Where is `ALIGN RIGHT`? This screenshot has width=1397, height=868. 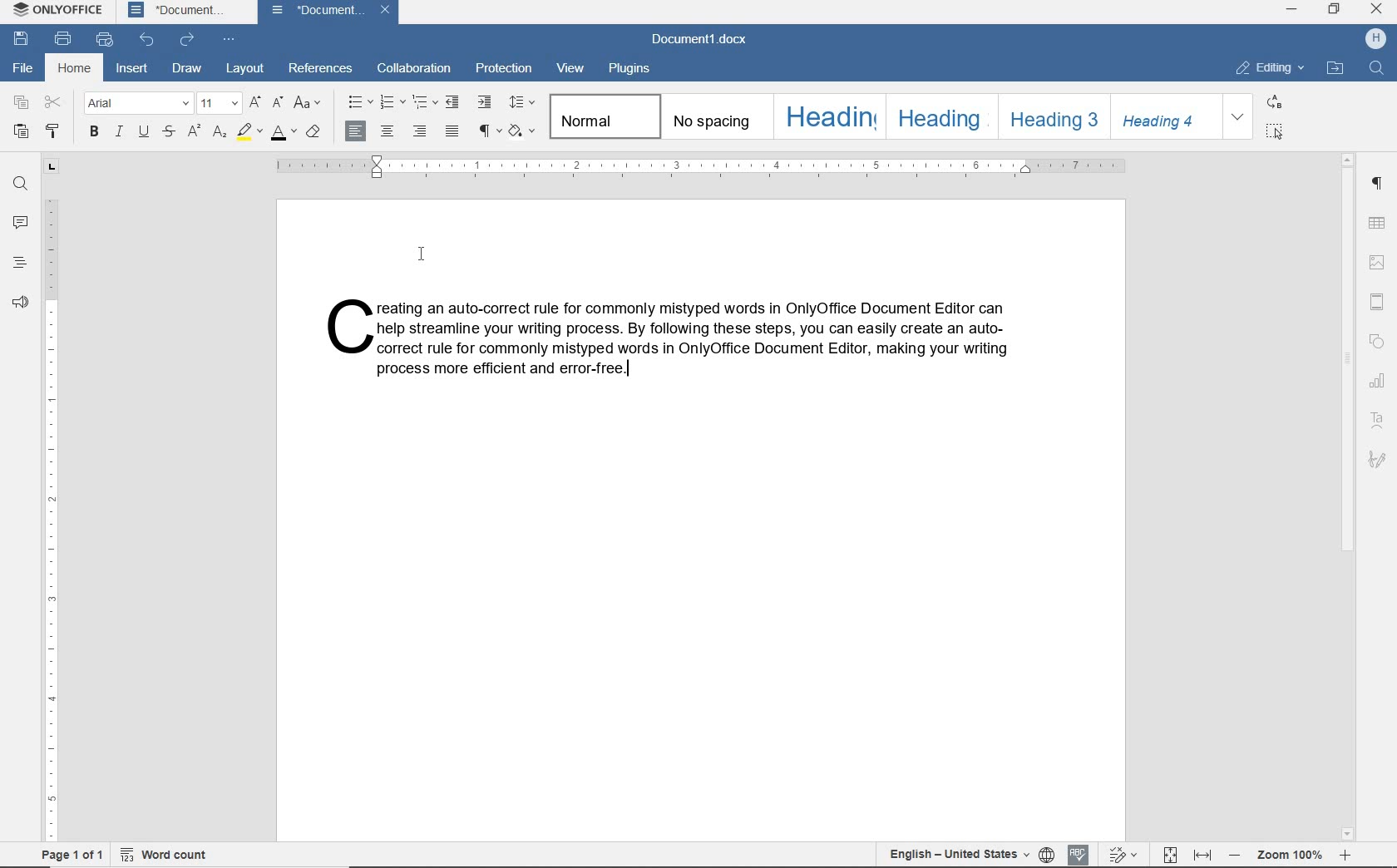
ALIGN RIGHT is located at coordinates (421, 131).